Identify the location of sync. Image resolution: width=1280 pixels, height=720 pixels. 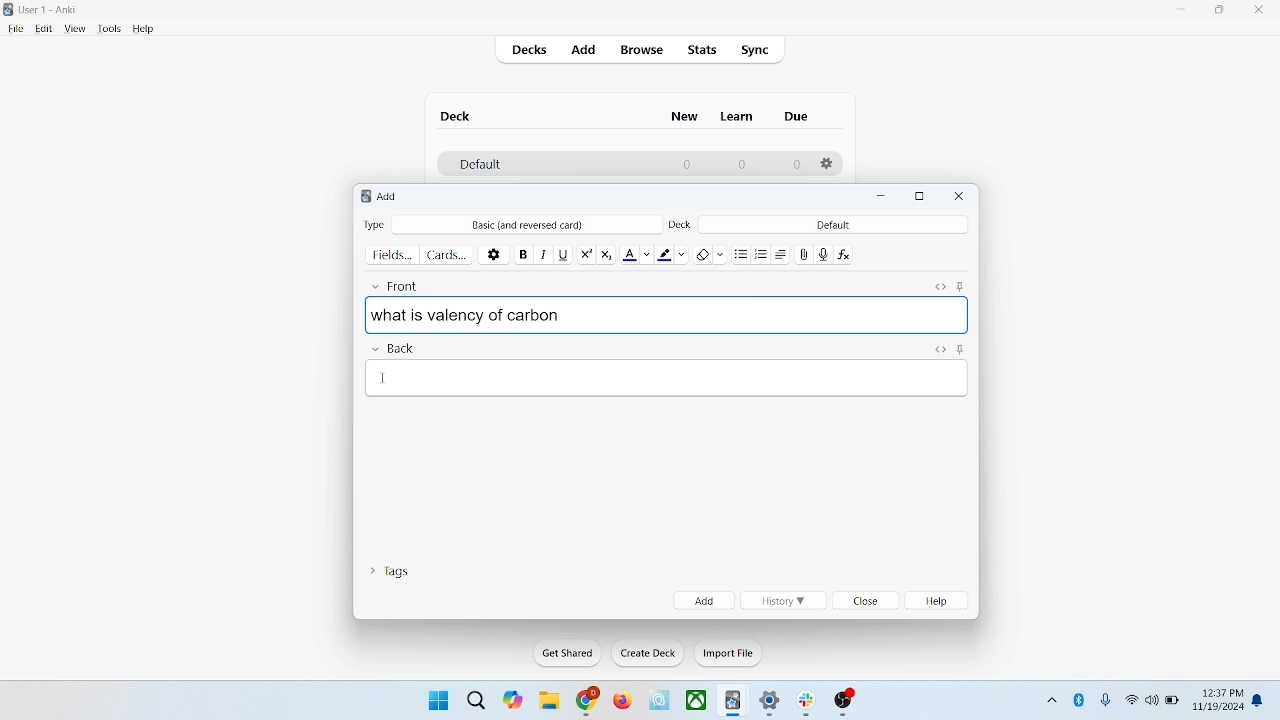
(756, 51).